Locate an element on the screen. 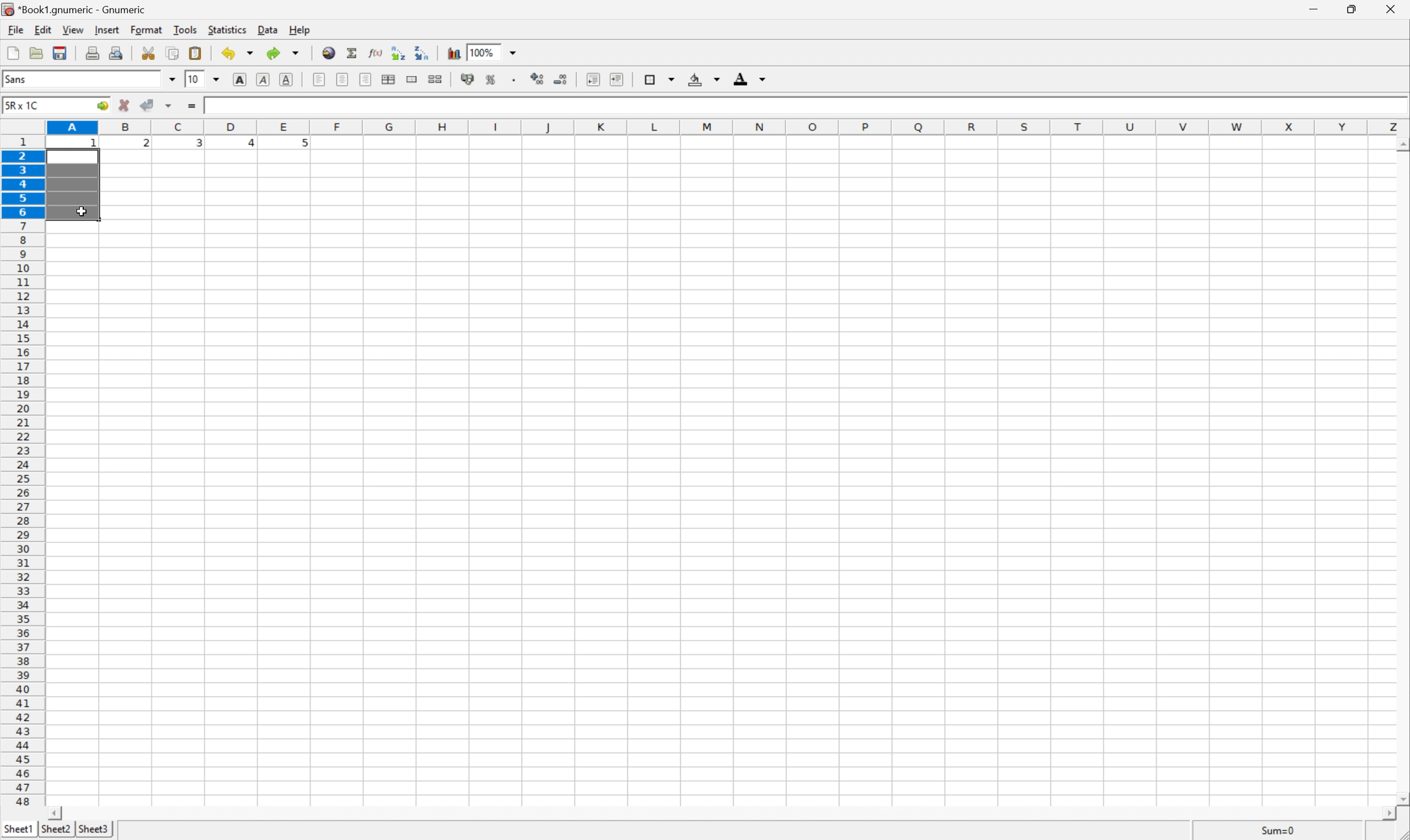 This screenshot has height=840, width=1410. align right is located at coordinates (366, 79).